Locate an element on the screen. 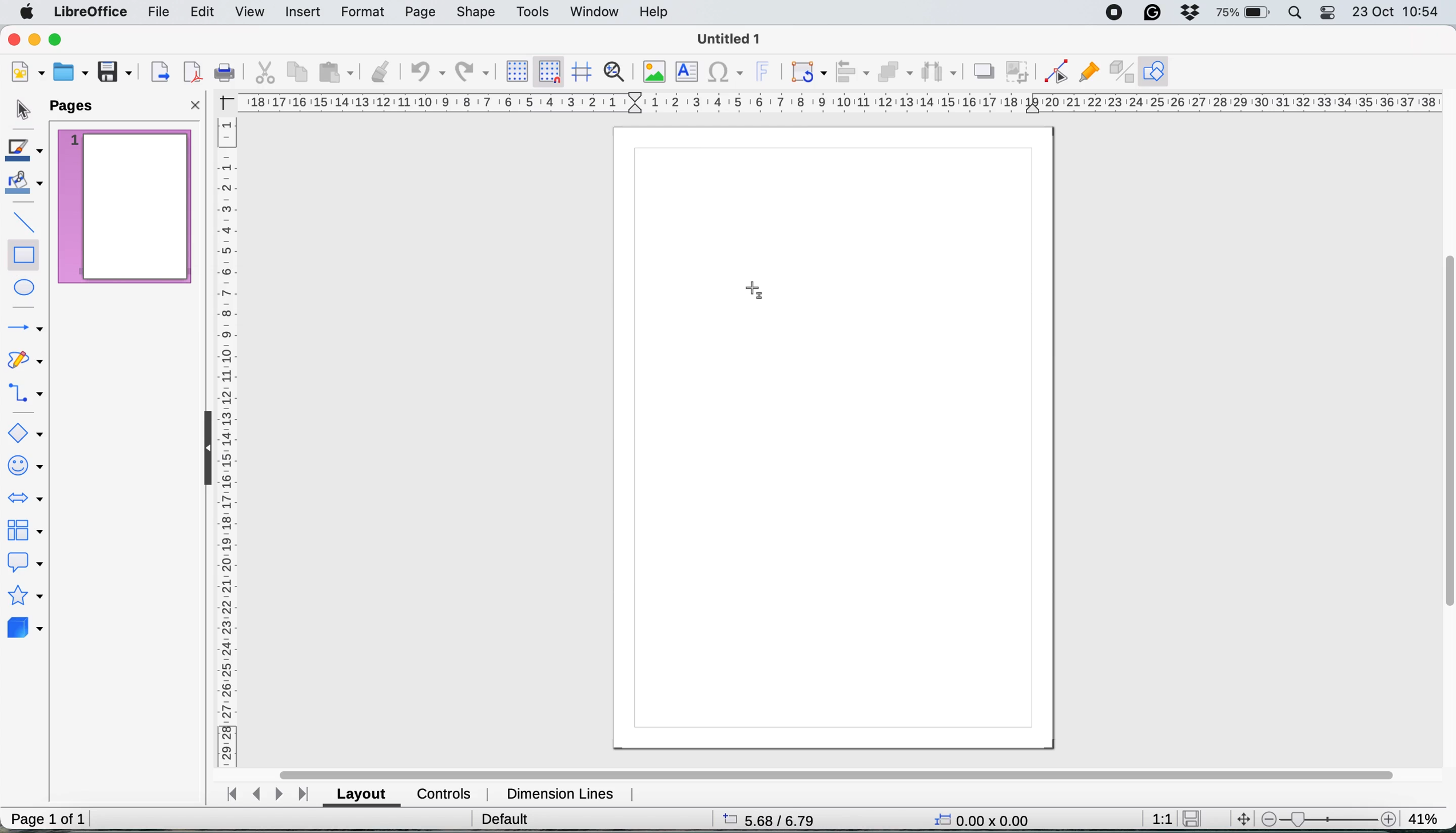 The height and width of the screenshot is (833, 1456). collapse is located at coordinates (202, 447).